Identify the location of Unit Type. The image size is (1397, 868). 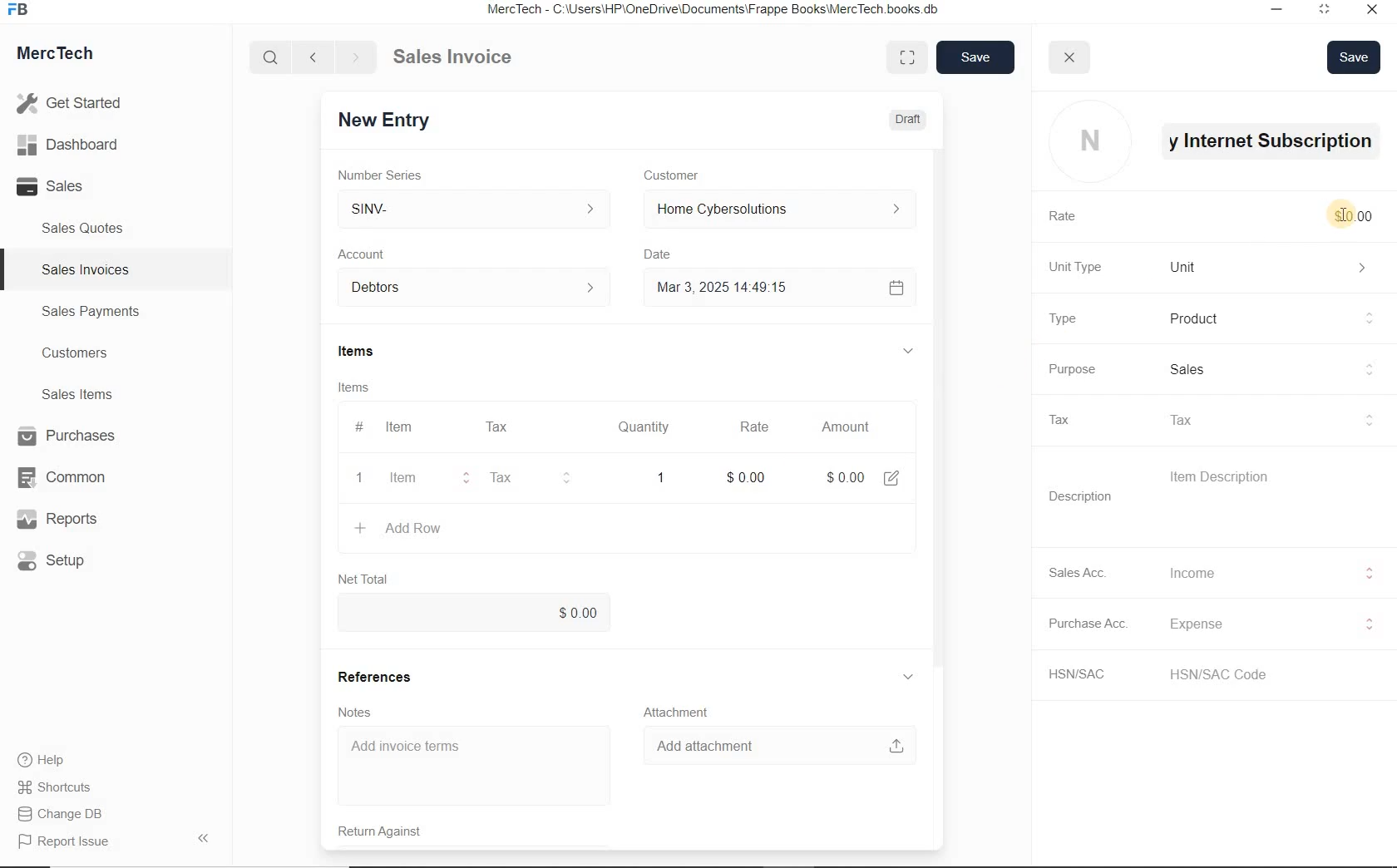
(1079, 267).